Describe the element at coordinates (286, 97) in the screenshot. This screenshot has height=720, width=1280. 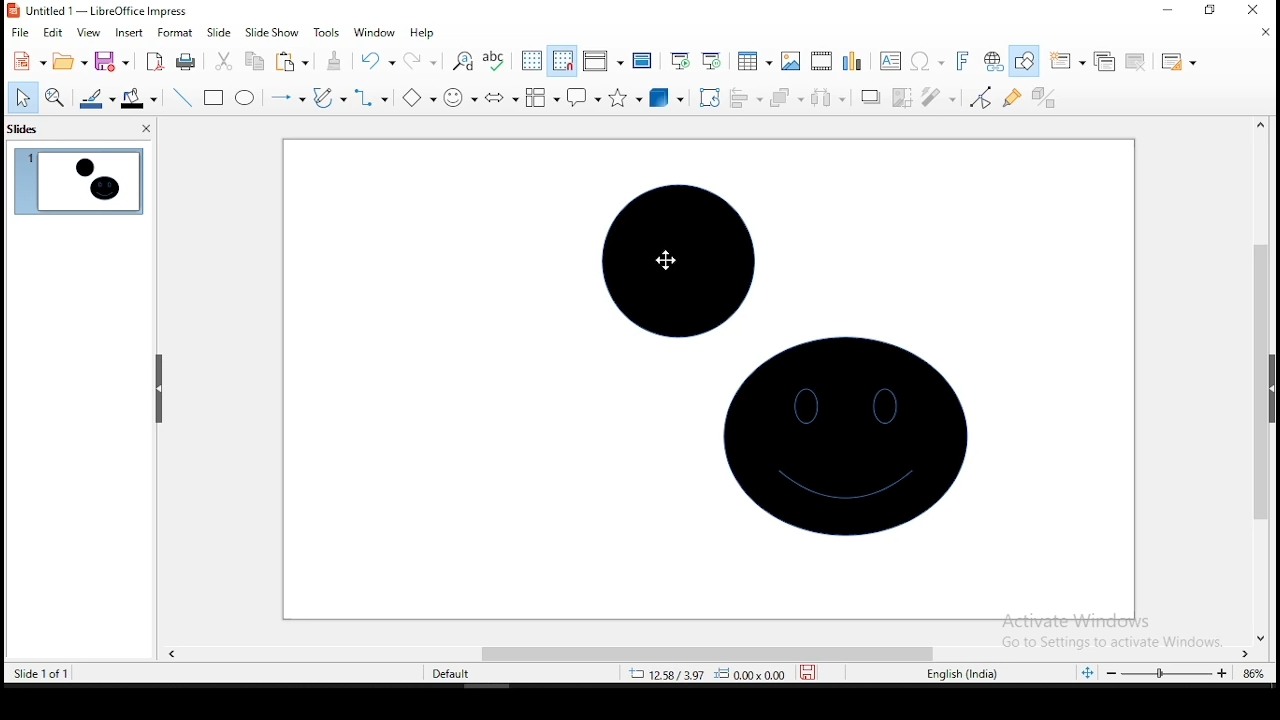
I see `lines and arrows` at that location.